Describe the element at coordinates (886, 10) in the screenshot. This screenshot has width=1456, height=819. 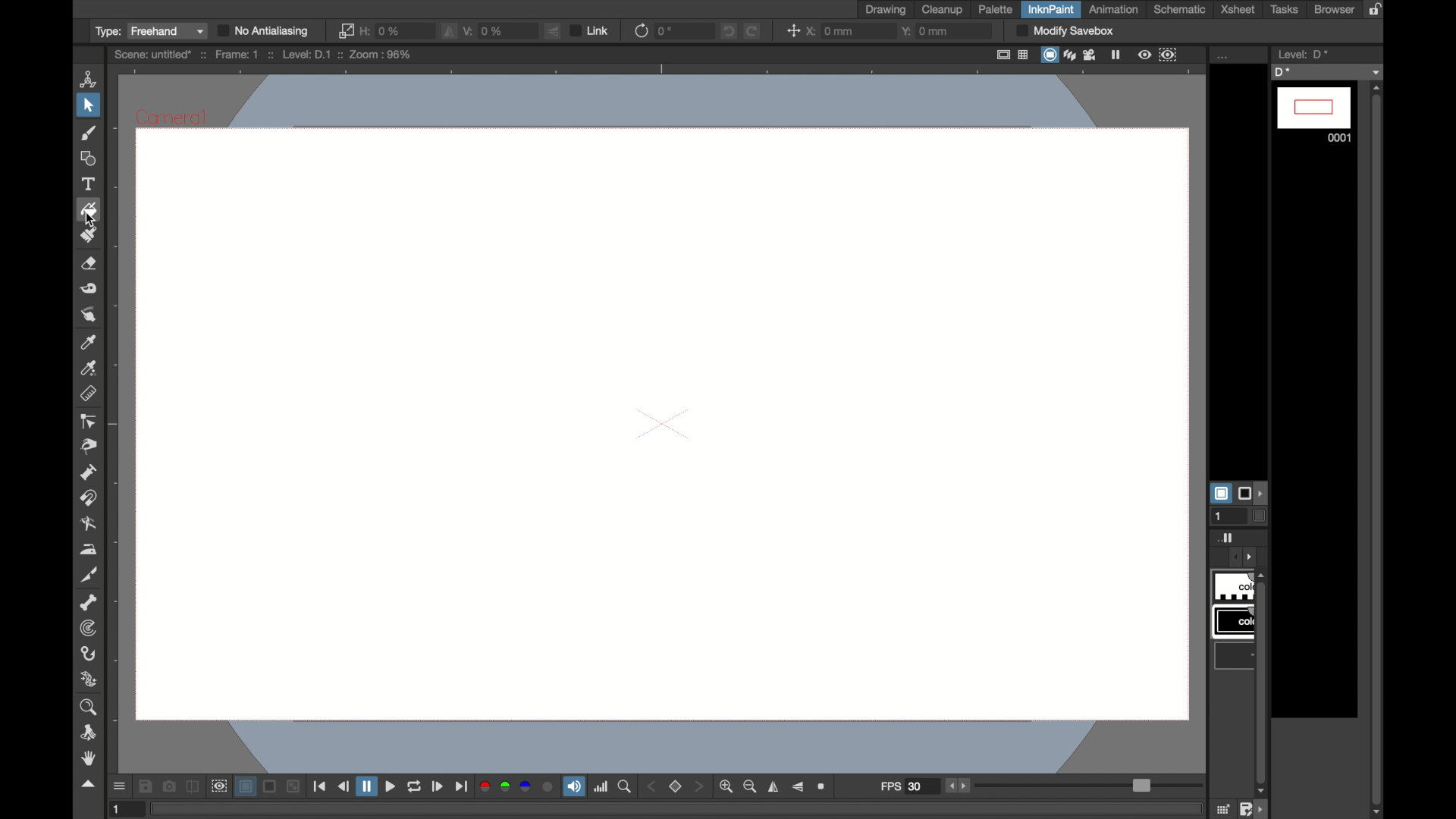
I see `drawing` at that location.